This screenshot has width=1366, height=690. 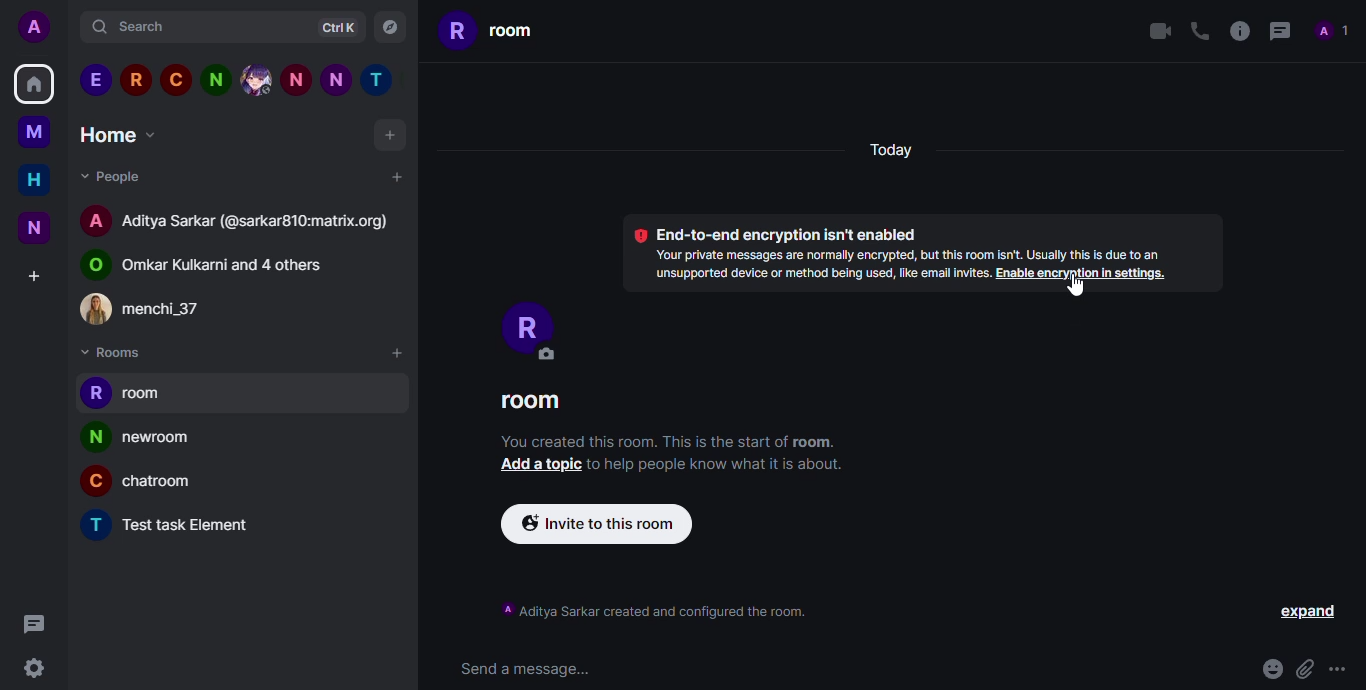 I want to click on room, so click(x=530, y=404).